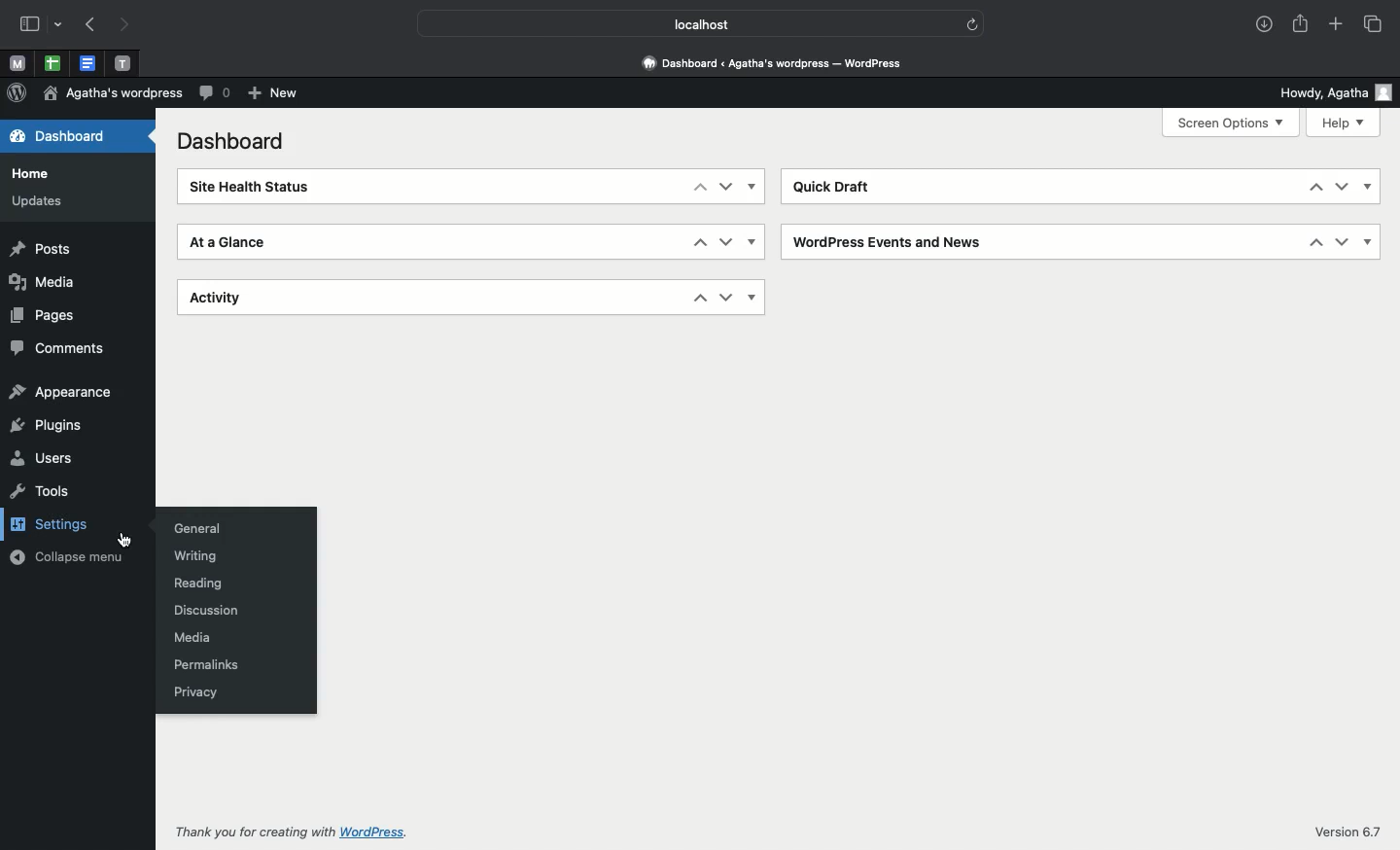  I want to click on Down, so click(1344, 188).